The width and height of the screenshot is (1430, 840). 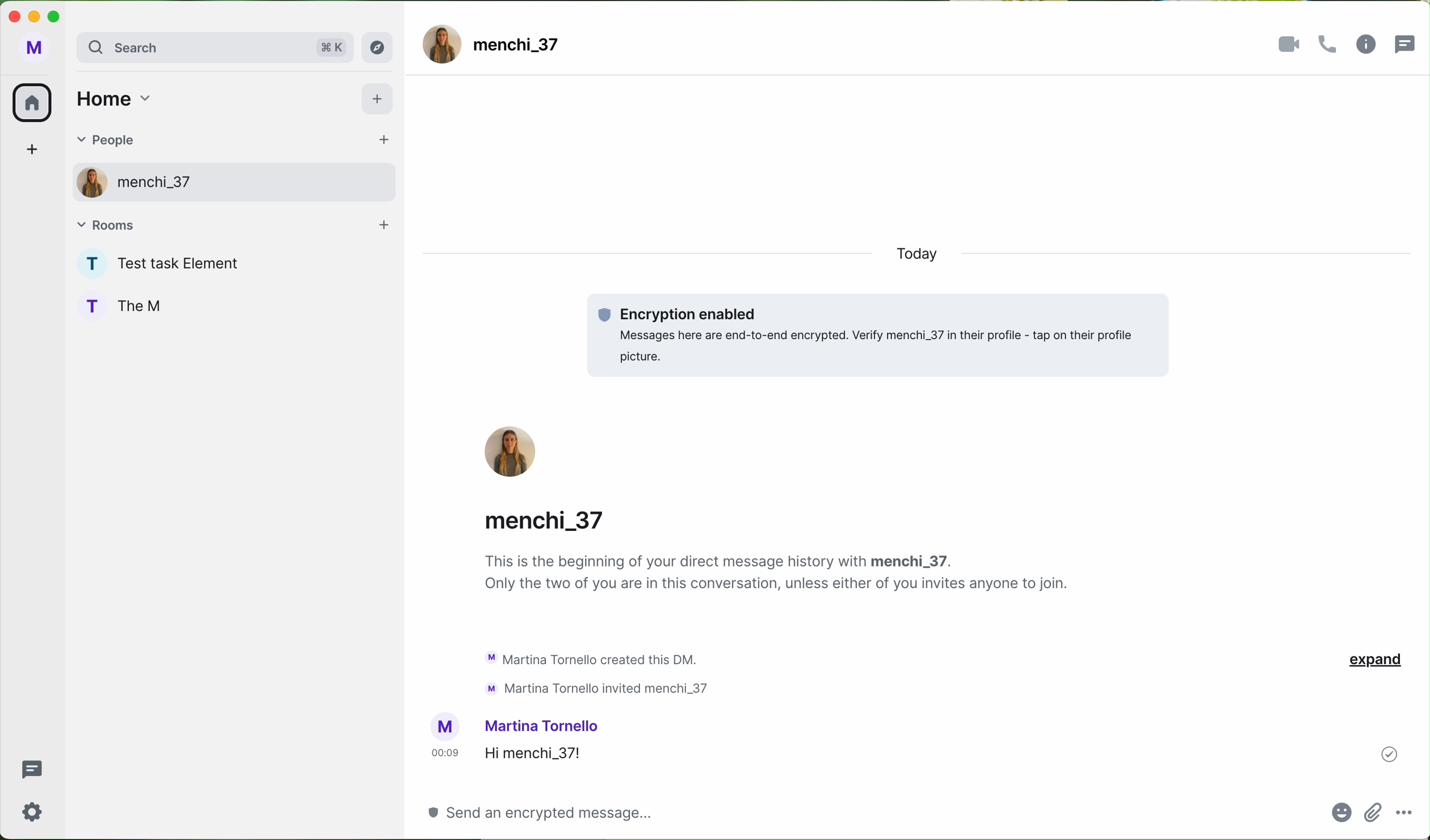 I want to click on The M, so click(x=146, y=303).